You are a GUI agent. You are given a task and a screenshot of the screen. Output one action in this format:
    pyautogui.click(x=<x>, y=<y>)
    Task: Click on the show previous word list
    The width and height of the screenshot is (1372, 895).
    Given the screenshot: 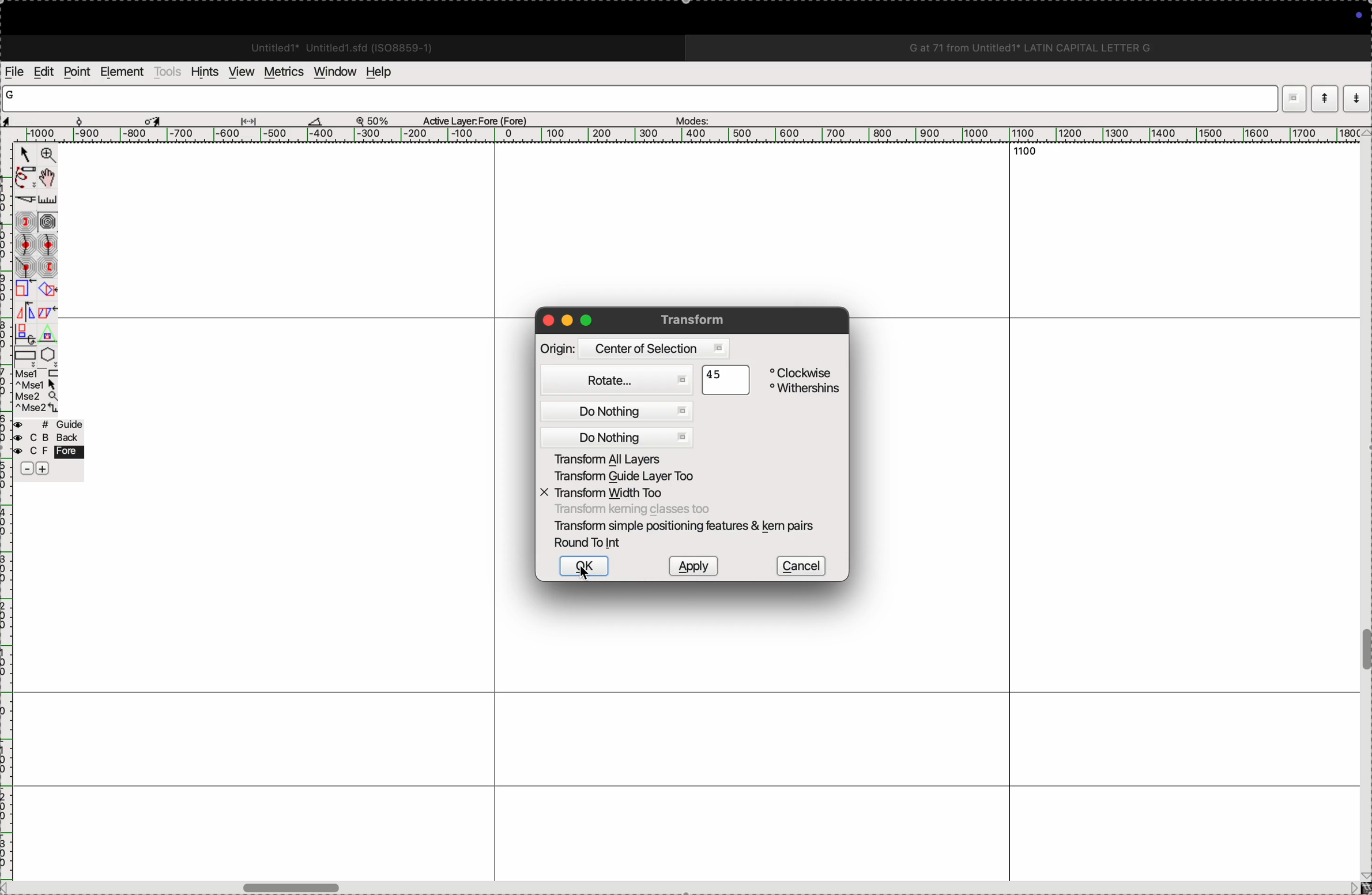 What is the action you would take?
    pyautogui.click(x=1358, y=97)
    